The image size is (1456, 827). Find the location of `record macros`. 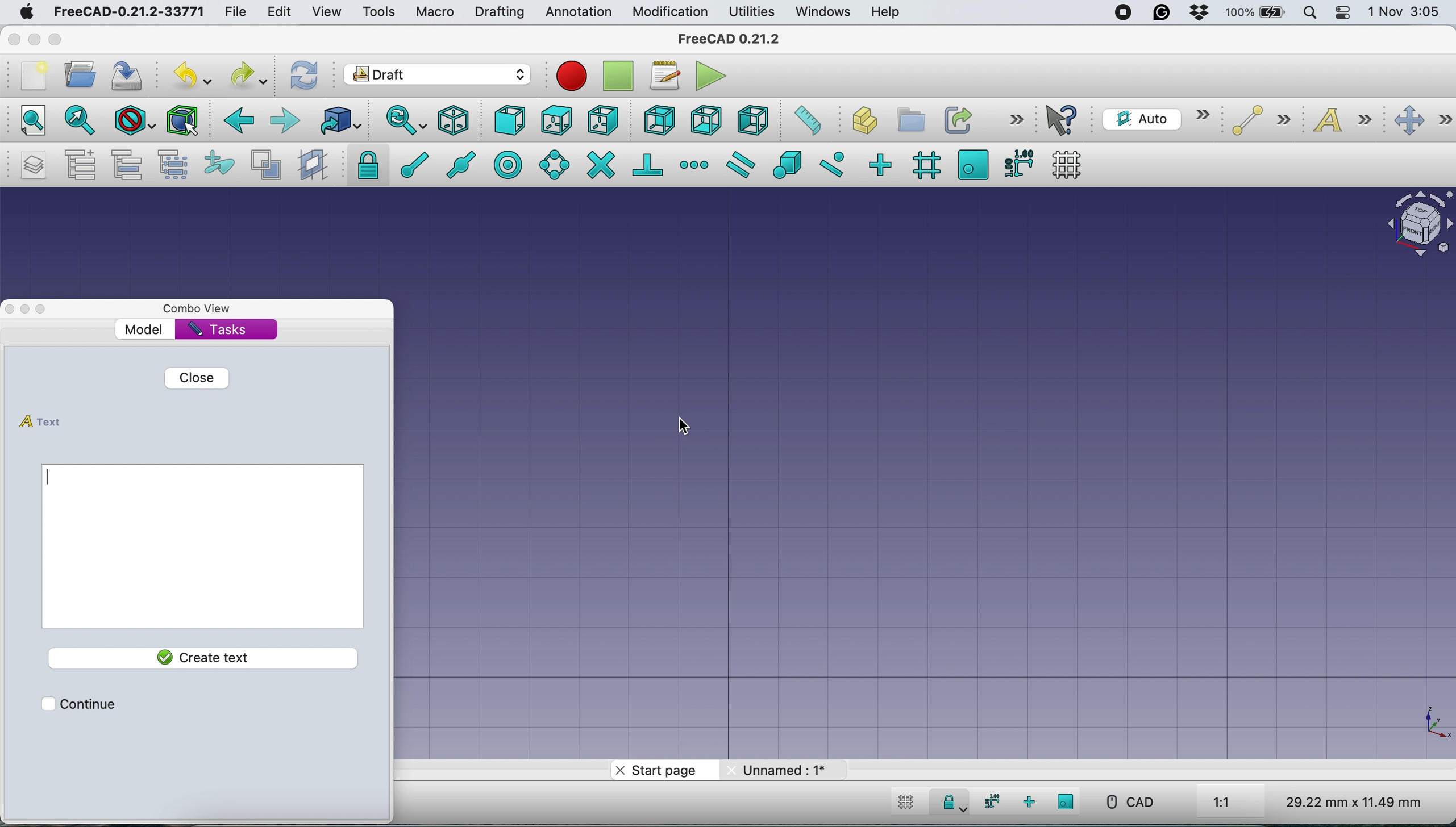

record macros is located at coordinates (568, 76).